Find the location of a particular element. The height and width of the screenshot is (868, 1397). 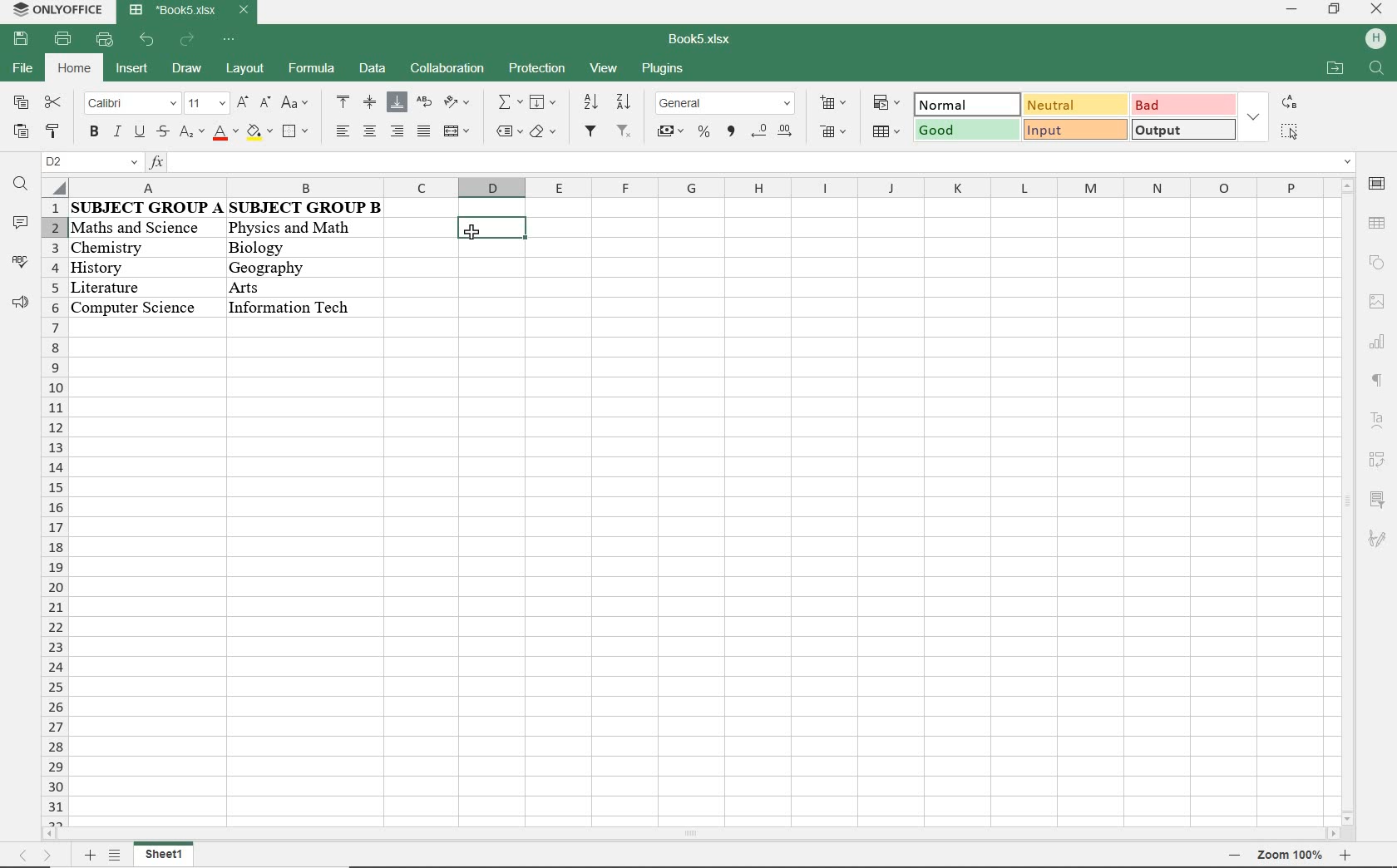

subscript/superscript is located at coordinates (191, 132).